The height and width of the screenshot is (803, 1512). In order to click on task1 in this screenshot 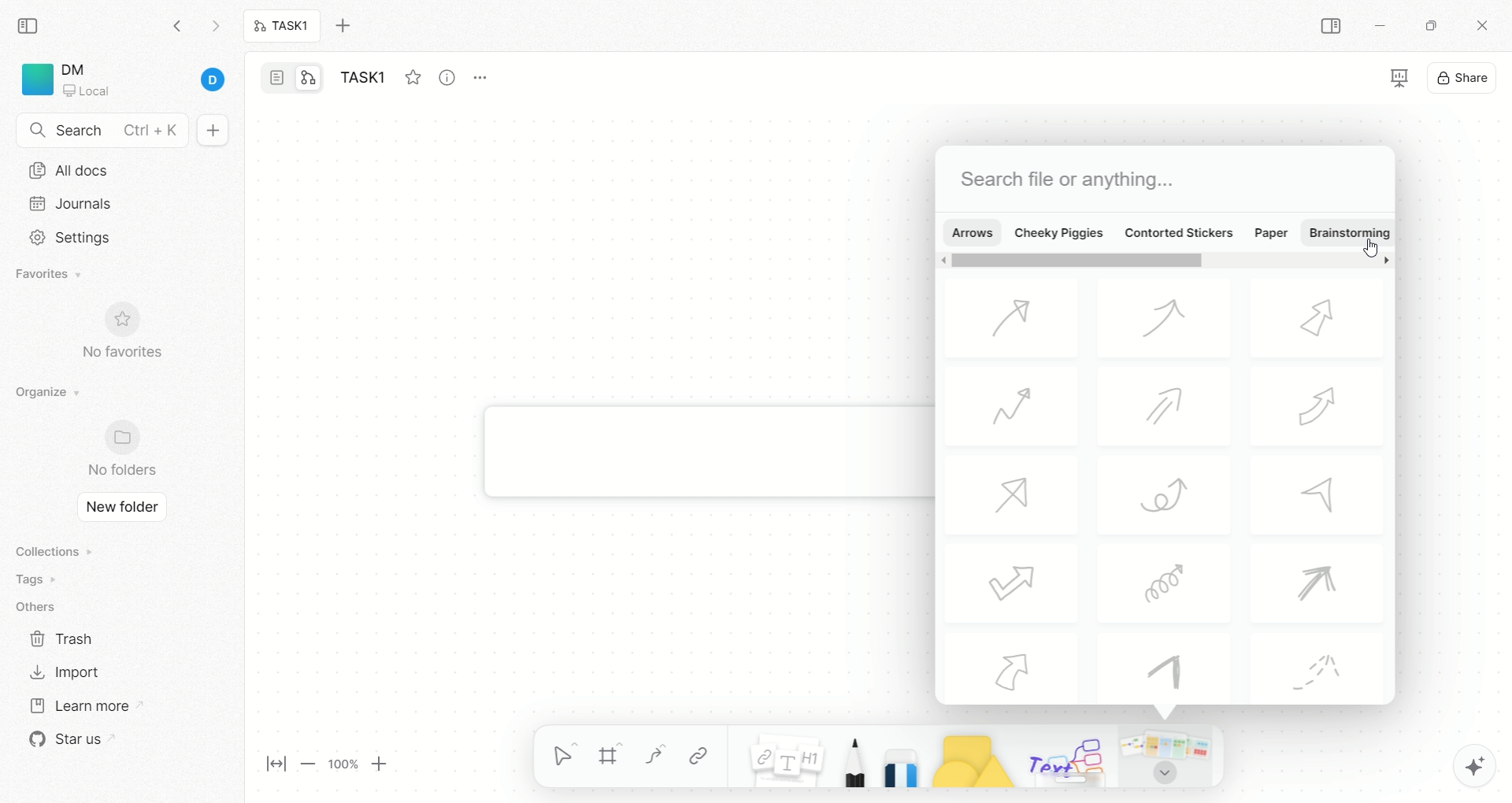, I will do `click(283, 28)`.